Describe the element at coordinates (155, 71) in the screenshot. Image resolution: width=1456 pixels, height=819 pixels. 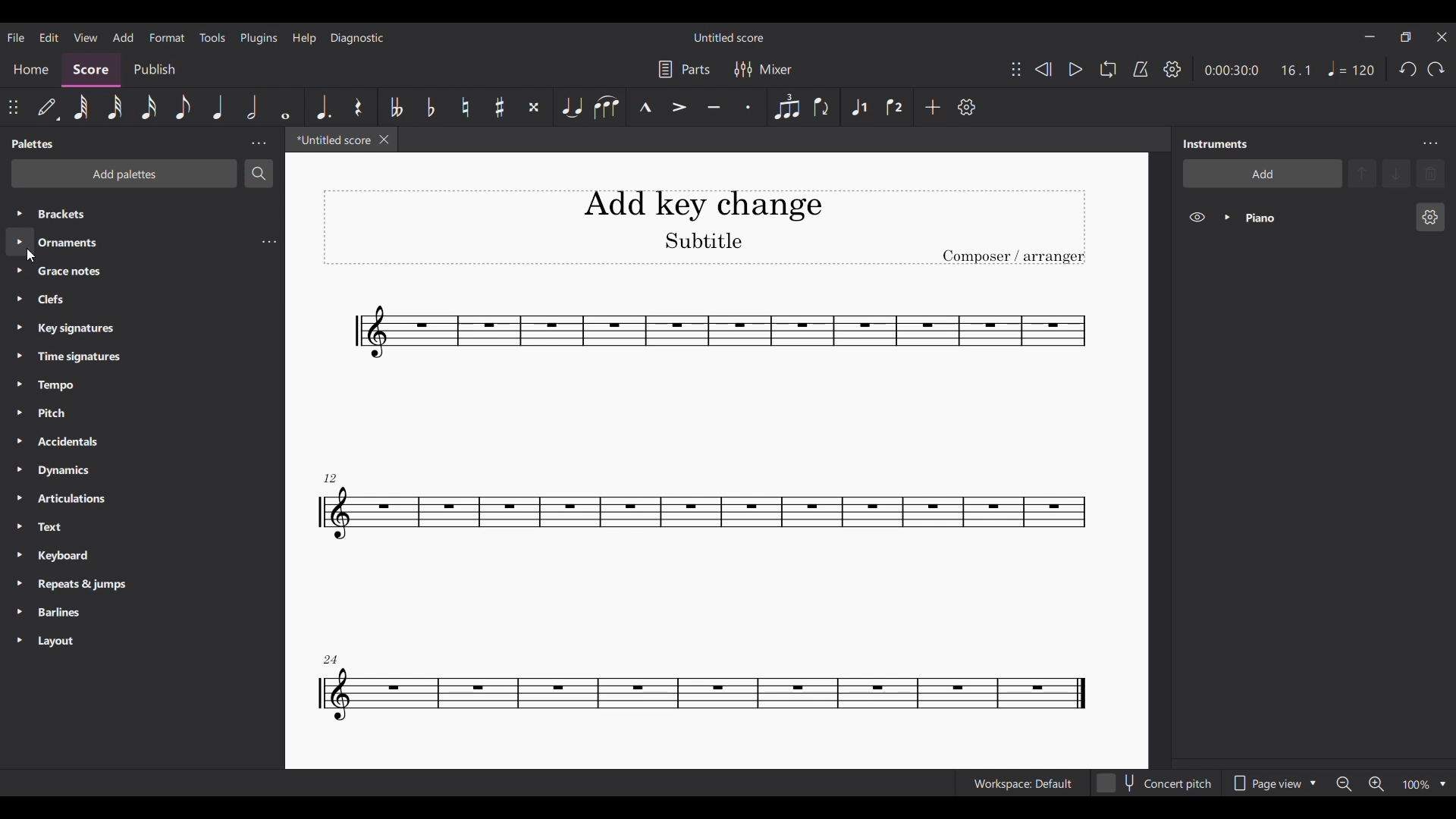
I see `Publish section` at that location.